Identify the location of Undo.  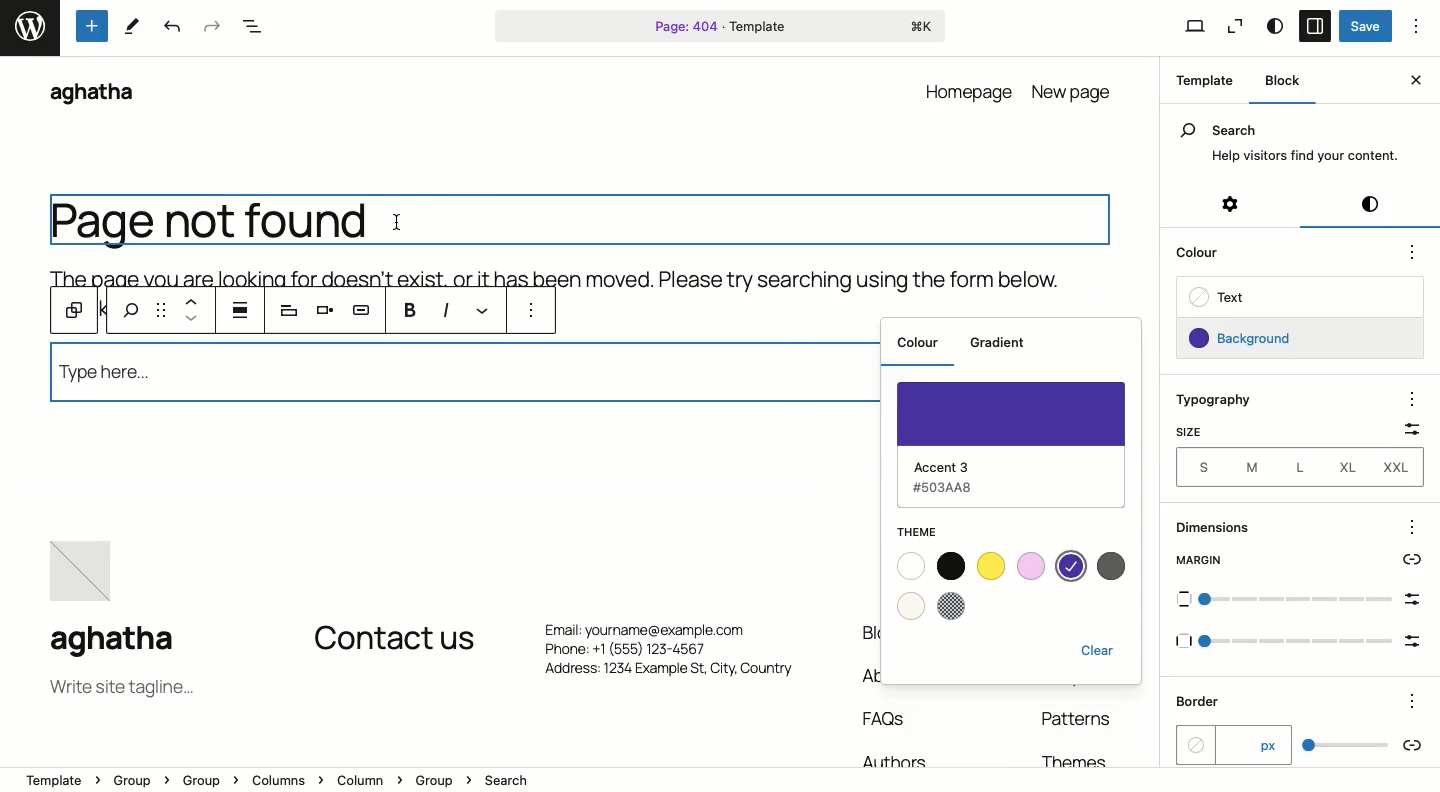
(171, 27).